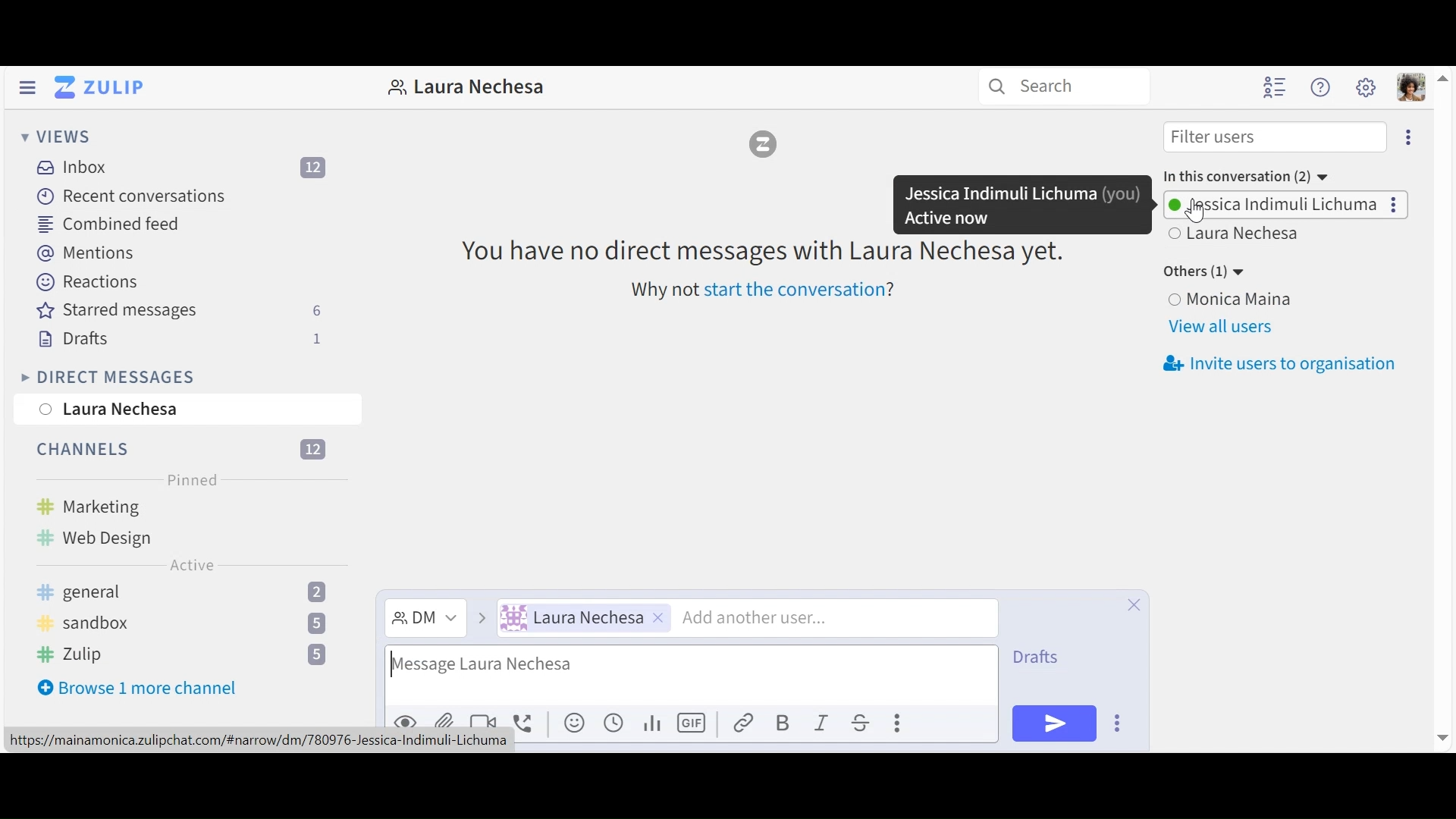 The image size is (1456, 819). I want to click on Pinned, so click(193, 478).